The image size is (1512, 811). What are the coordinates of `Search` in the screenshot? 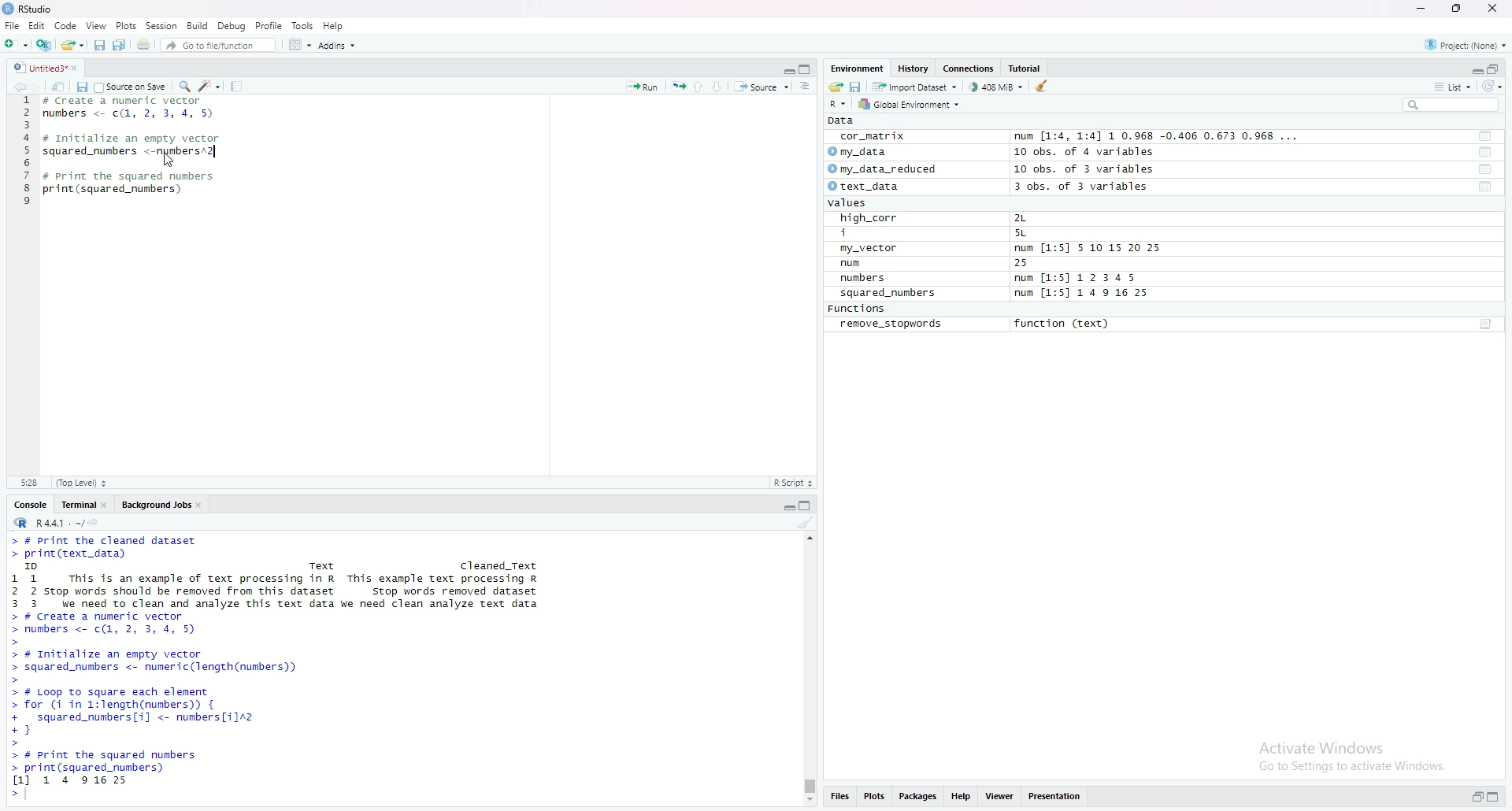 It's located at (1451, 105).